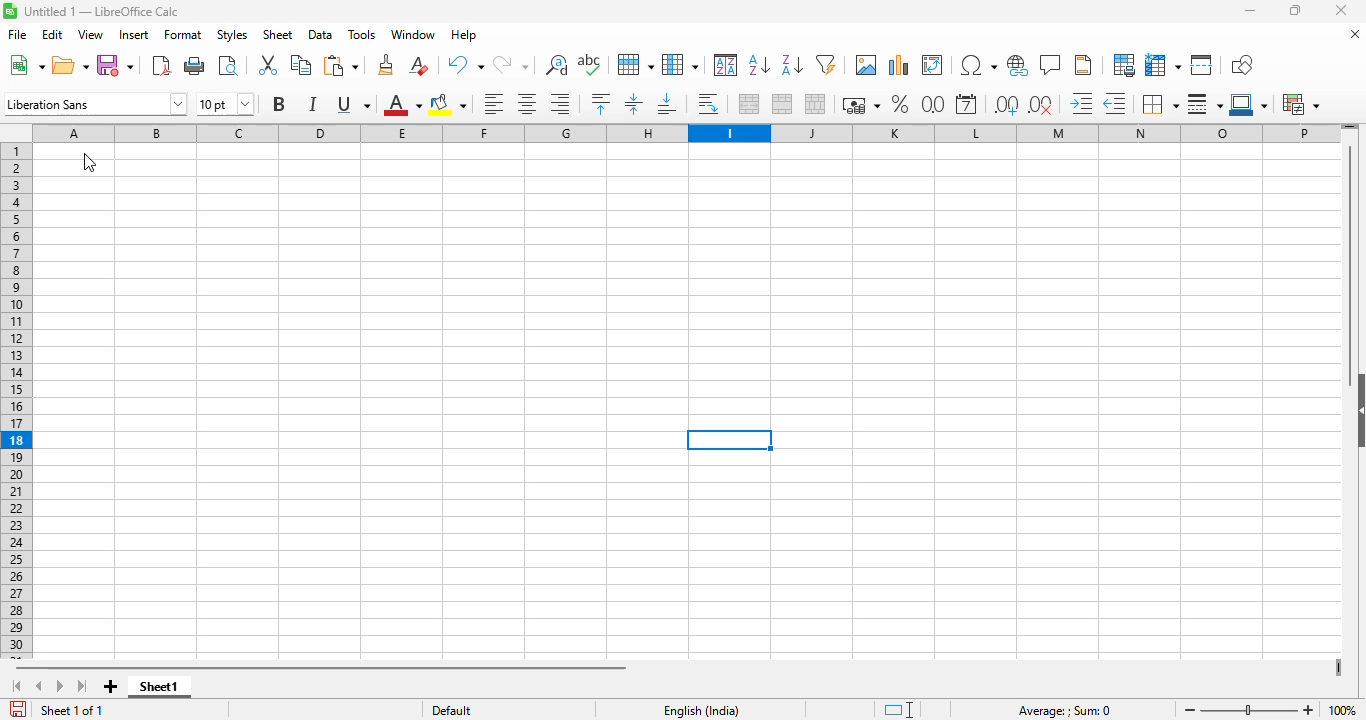 The height and width of the screenshot is (720, 1366). What do you see at coordinates (1124, 65) in the screenshot?
I see `define print area` at bounding box center [1124, 65].